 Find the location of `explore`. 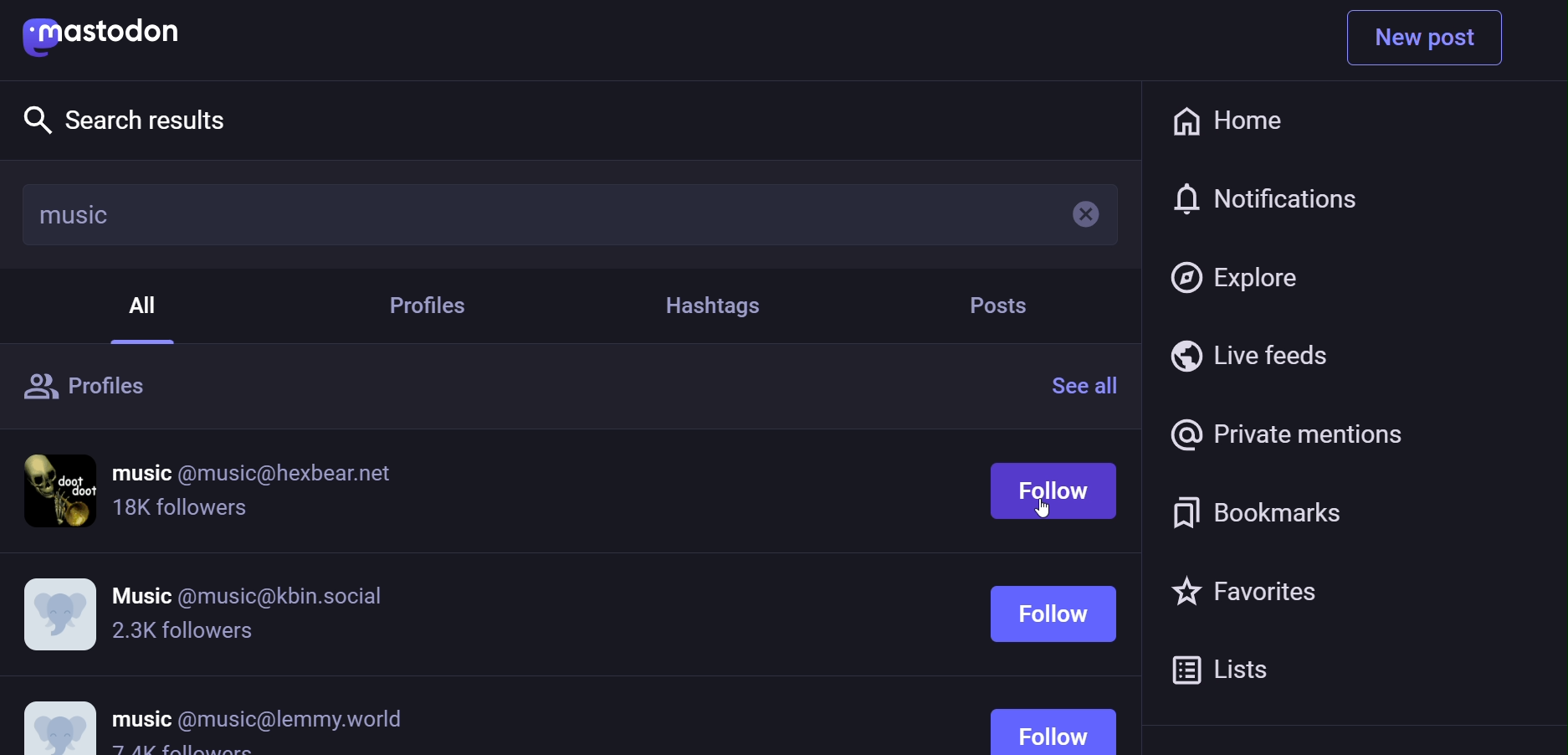

explore is located at coordinates (1237, 275).